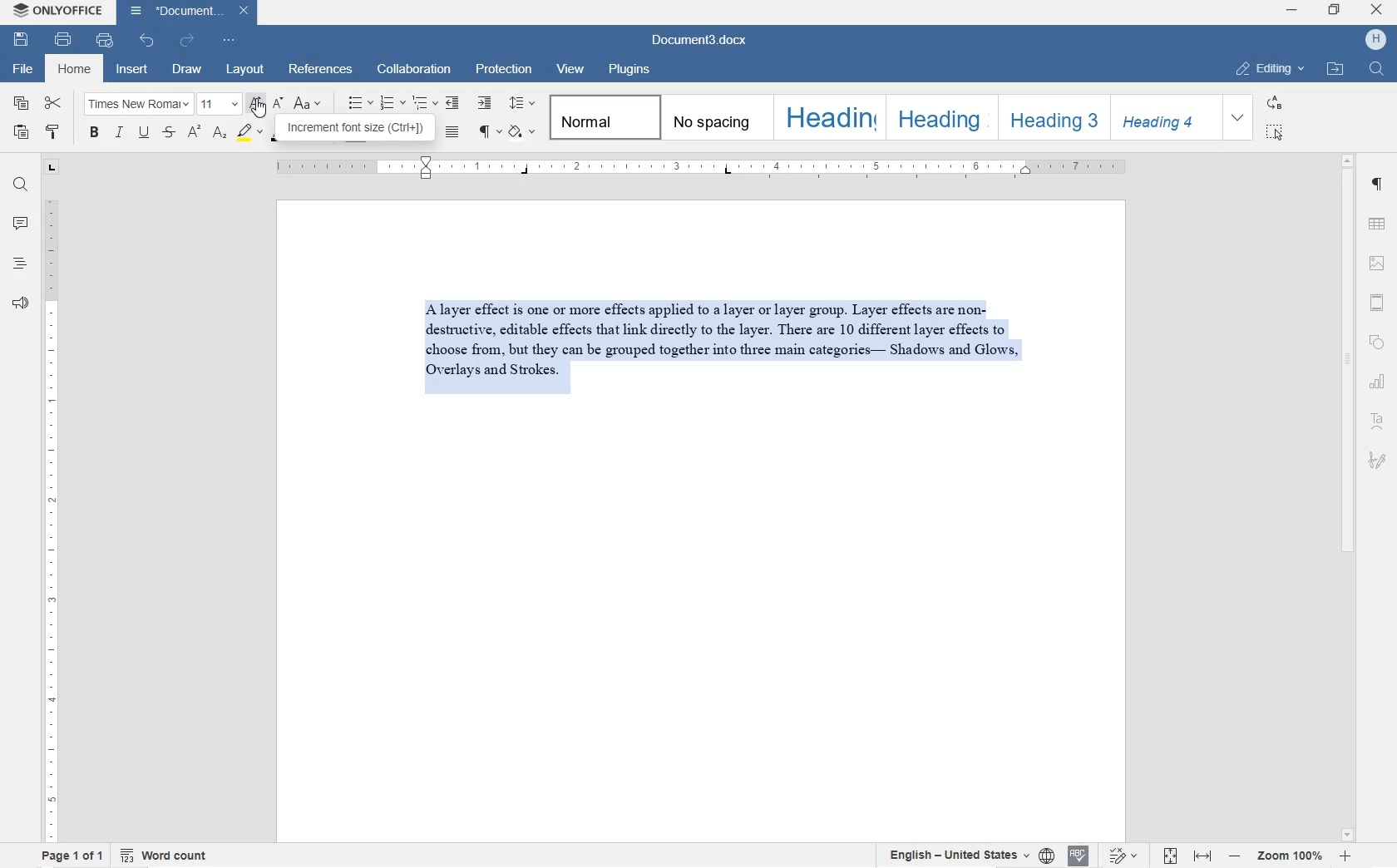  I want to click on references, so click(323, 70).